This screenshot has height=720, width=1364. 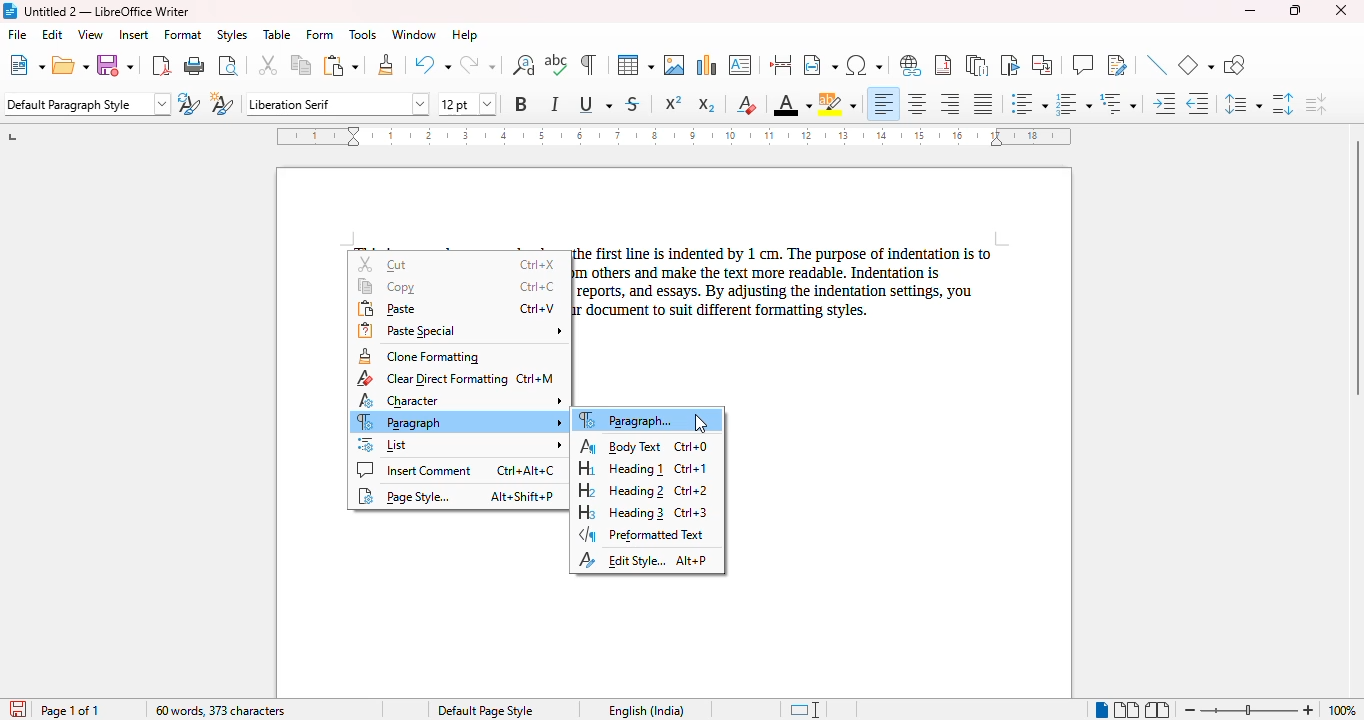 I want to click on increase paragraph spacing, so click(x=1283, y=103).